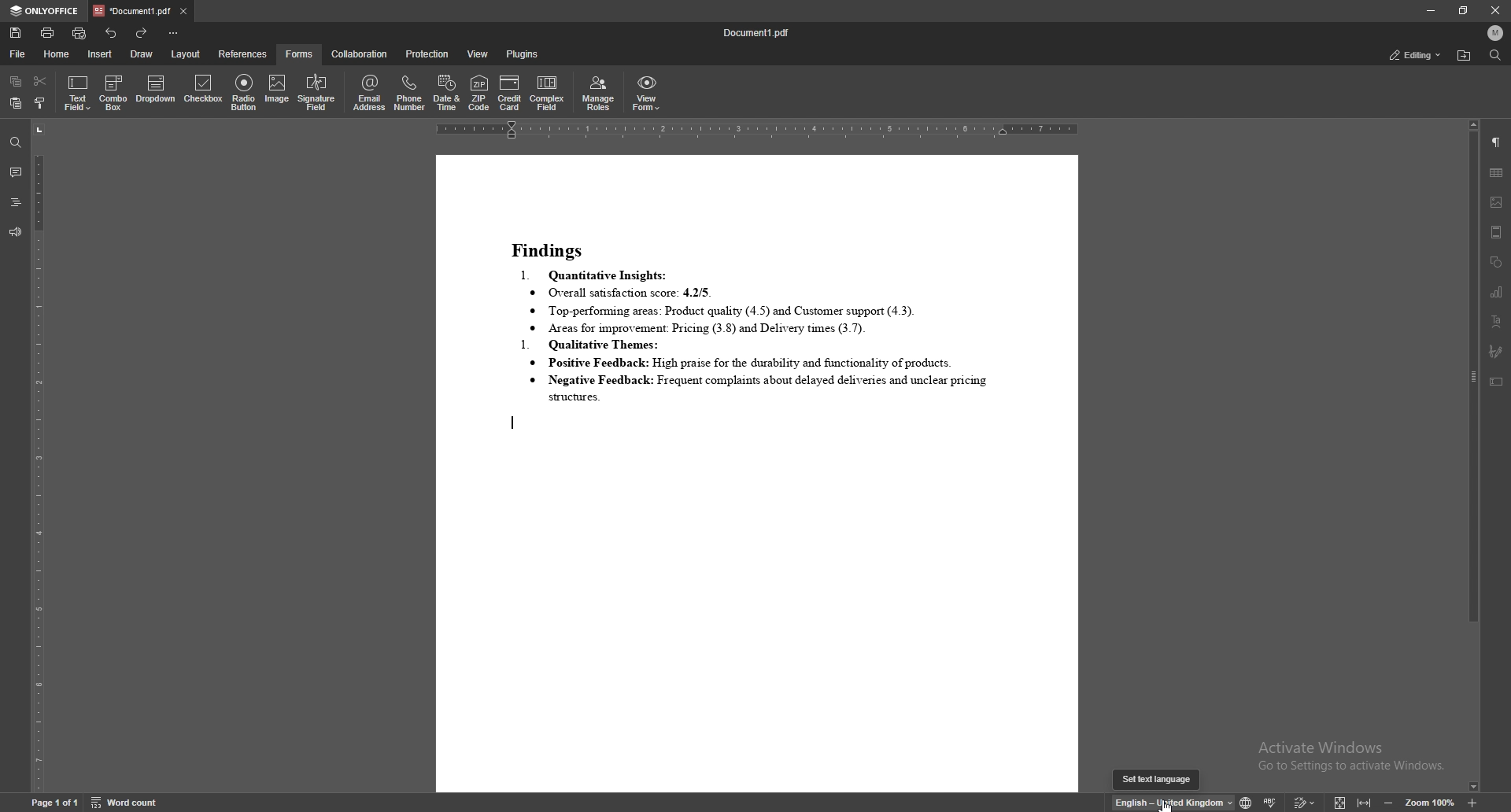  What do you see at coordinates (1497, 202) in the screenshot?
I see `image` at bounding box center [1497, 202].